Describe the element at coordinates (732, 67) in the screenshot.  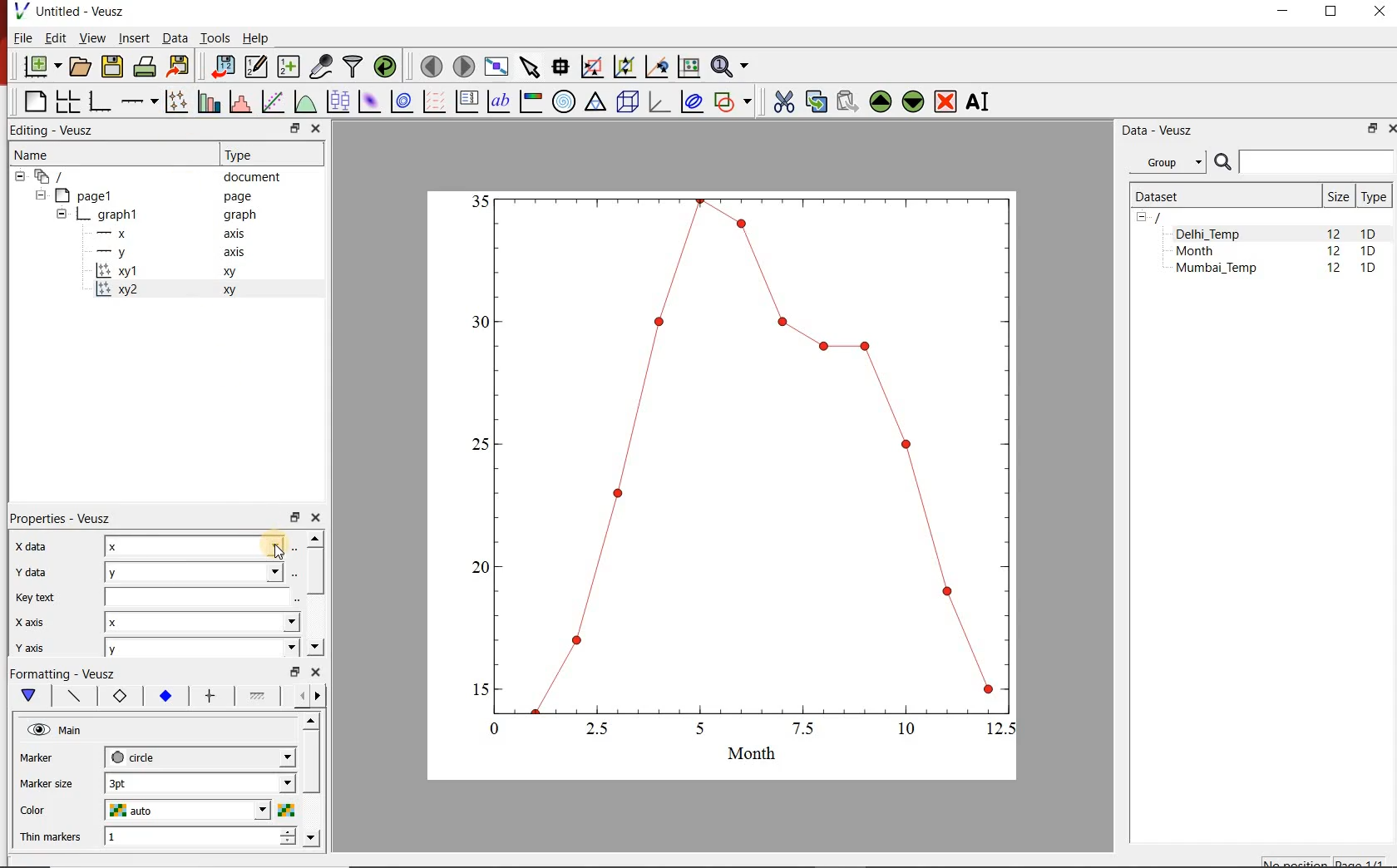
I see `zoom functions menu` at that location.